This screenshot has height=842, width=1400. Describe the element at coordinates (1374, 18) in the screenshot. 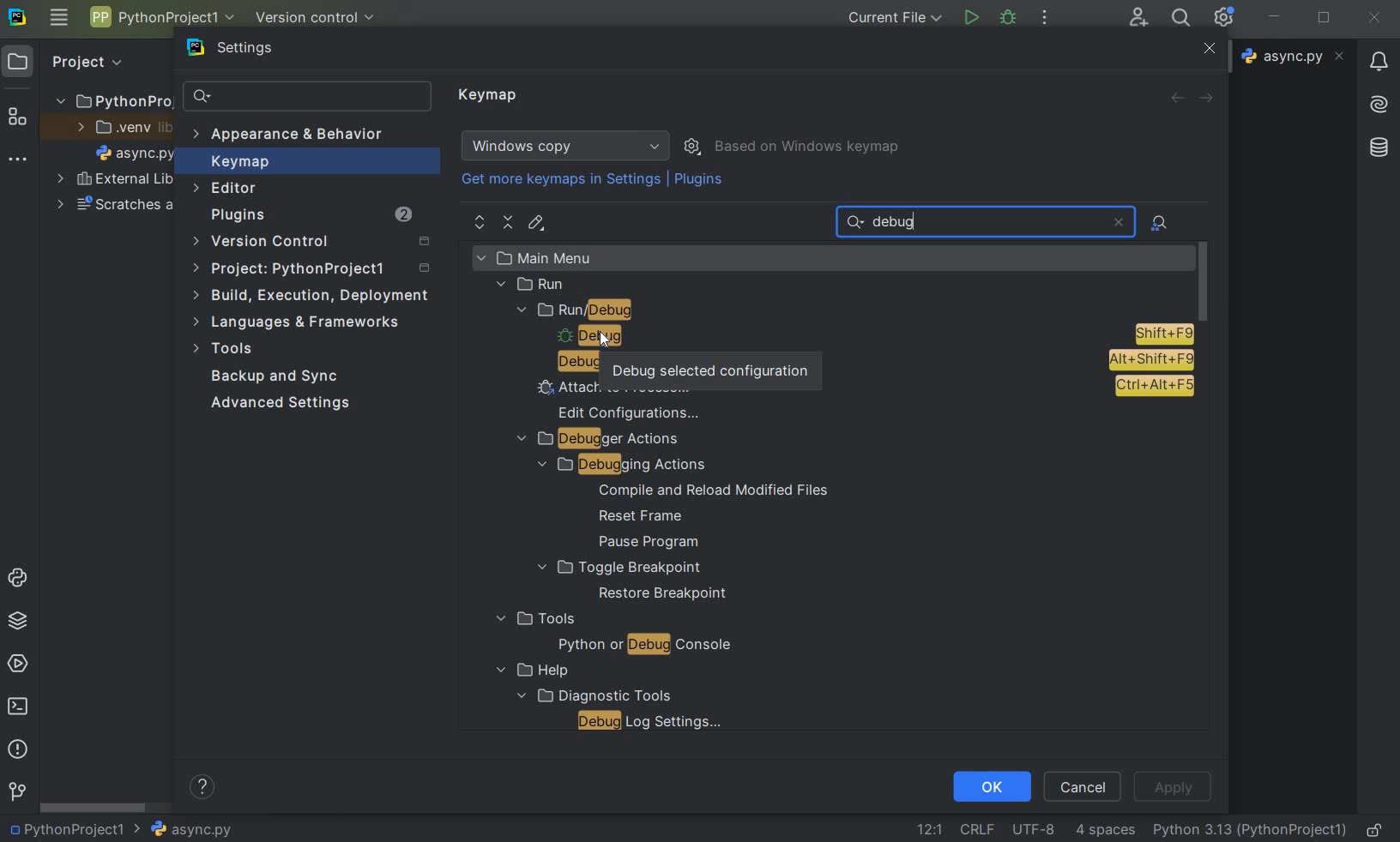

I see `close` at that location.